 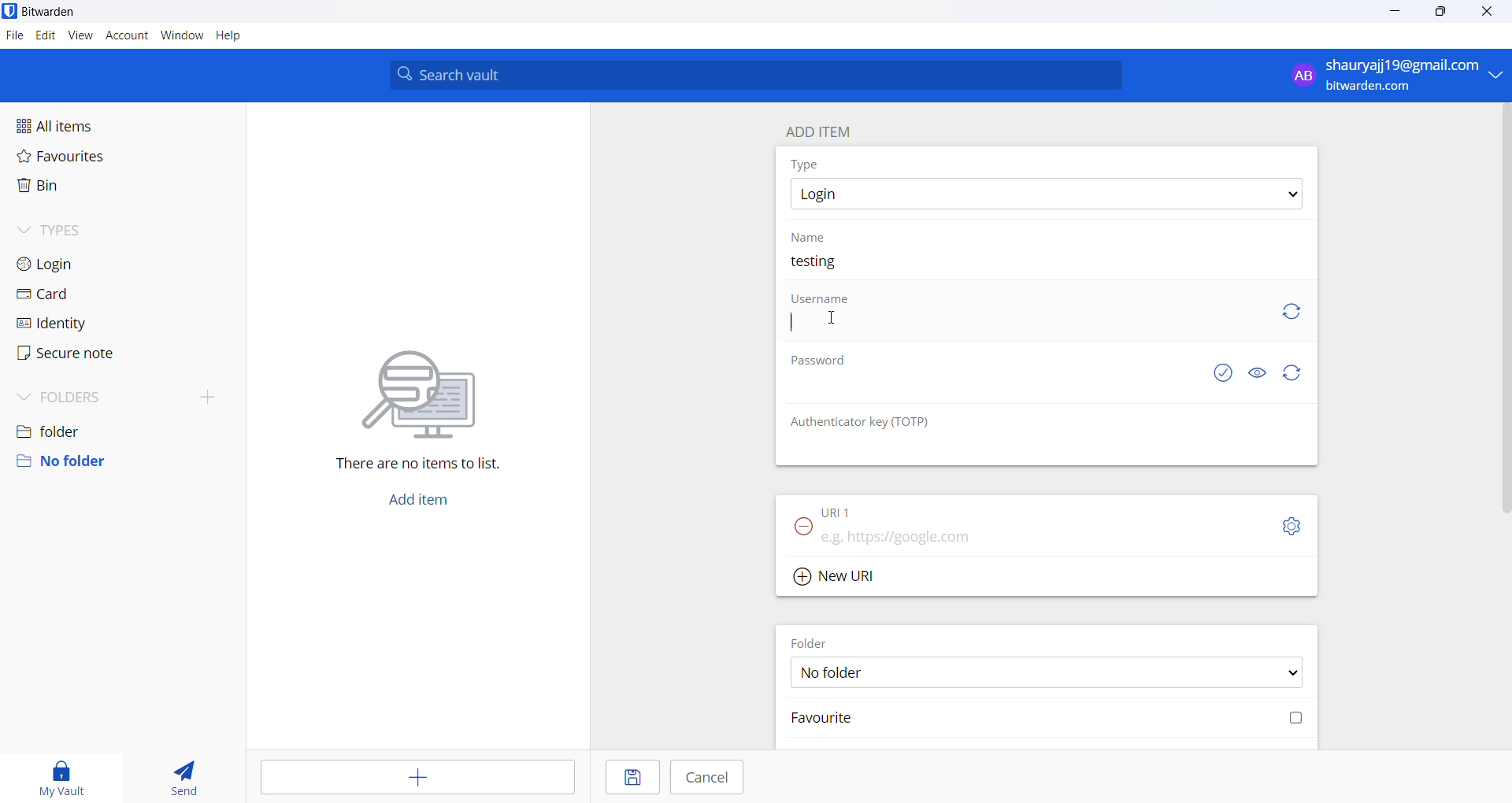 What do you see at coordinates (990, 391) in the screenshot?
I see `password input` at bounding box center [990, 391].